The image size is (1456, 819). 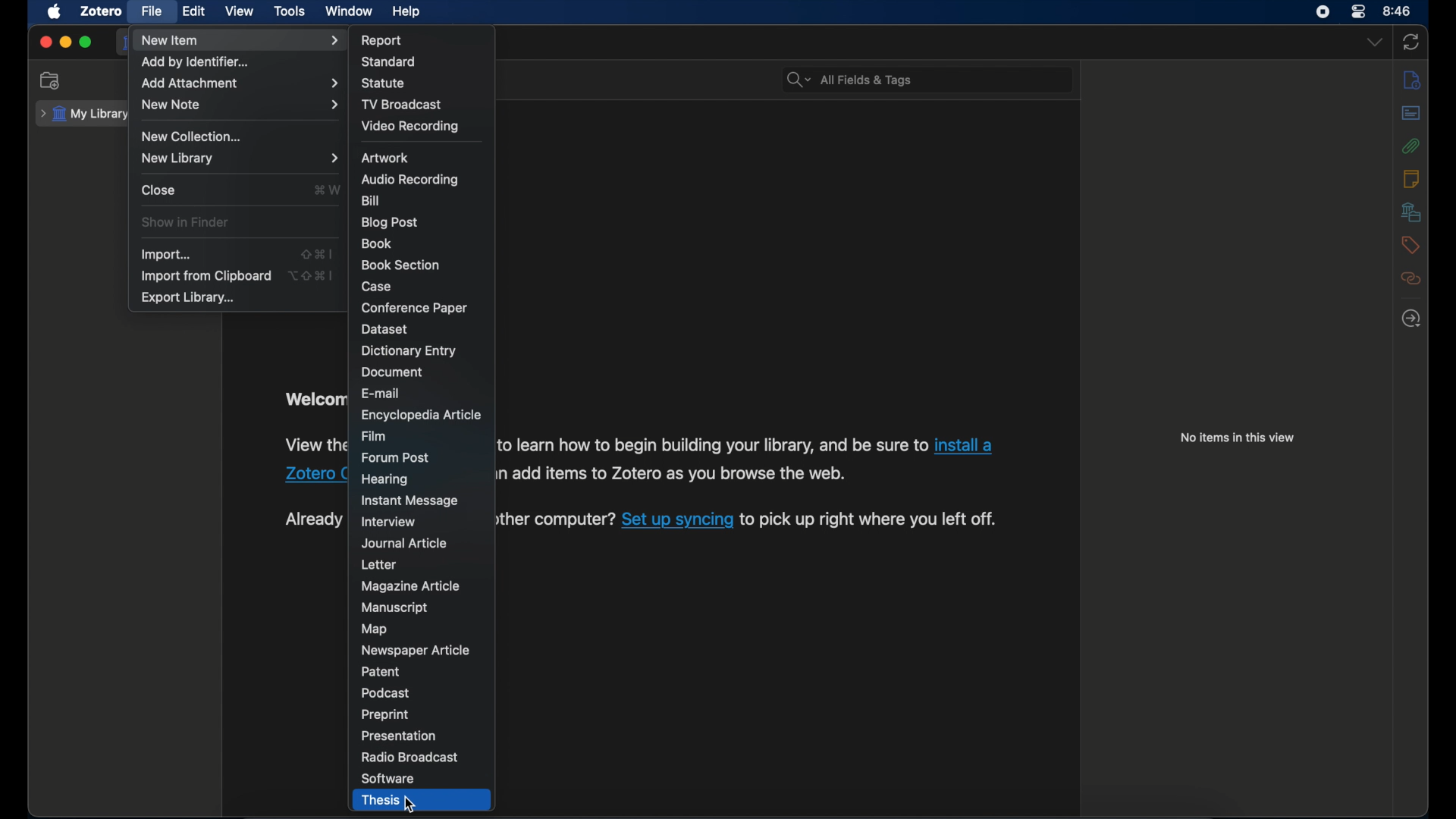 What do you see at coordinates (397, 457) in the screenshot?
I see `forum post` at bounding box center [397, 457].